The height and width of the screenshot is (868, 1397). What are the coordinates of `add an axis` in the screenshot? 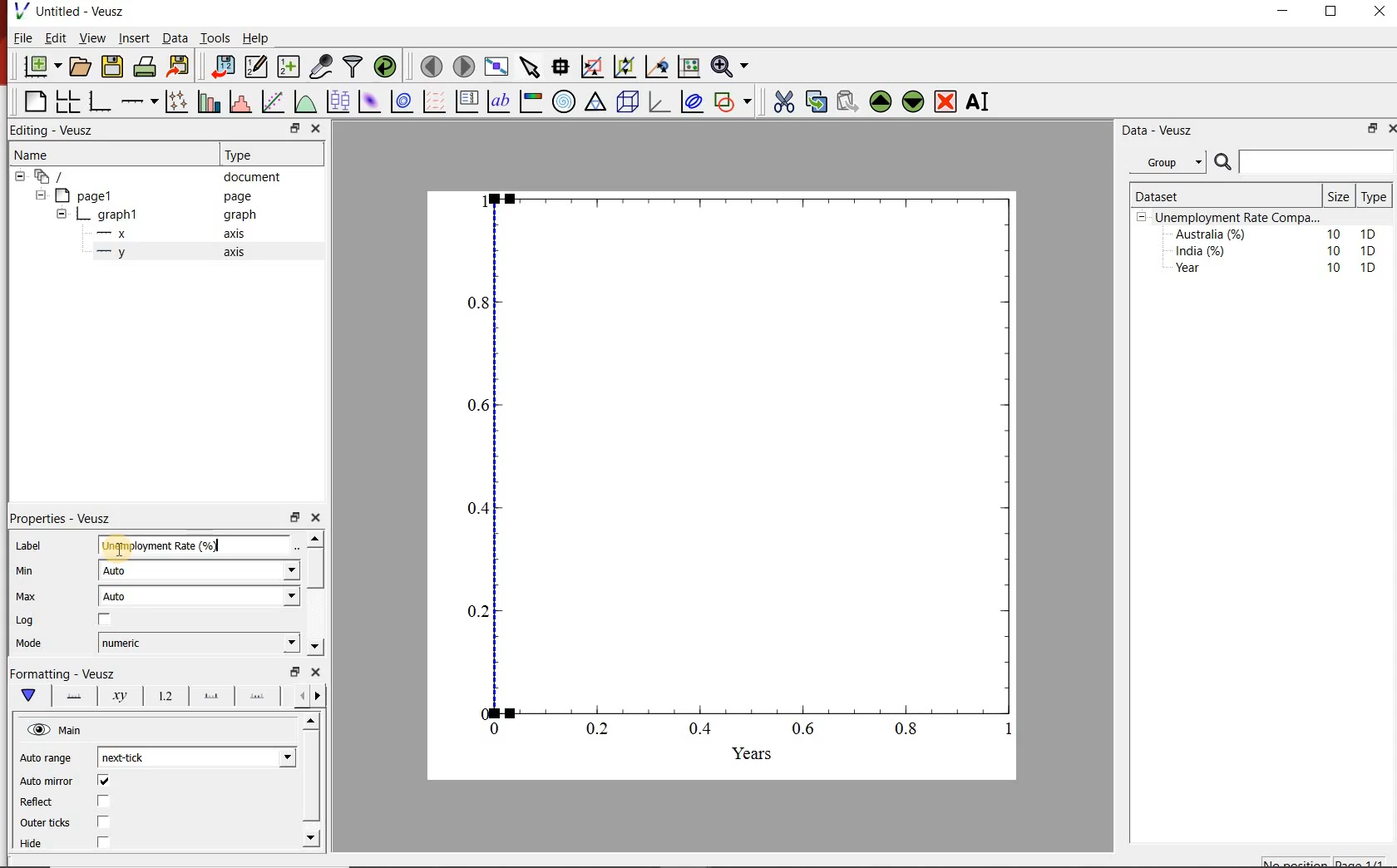 It's located at (138, 101).